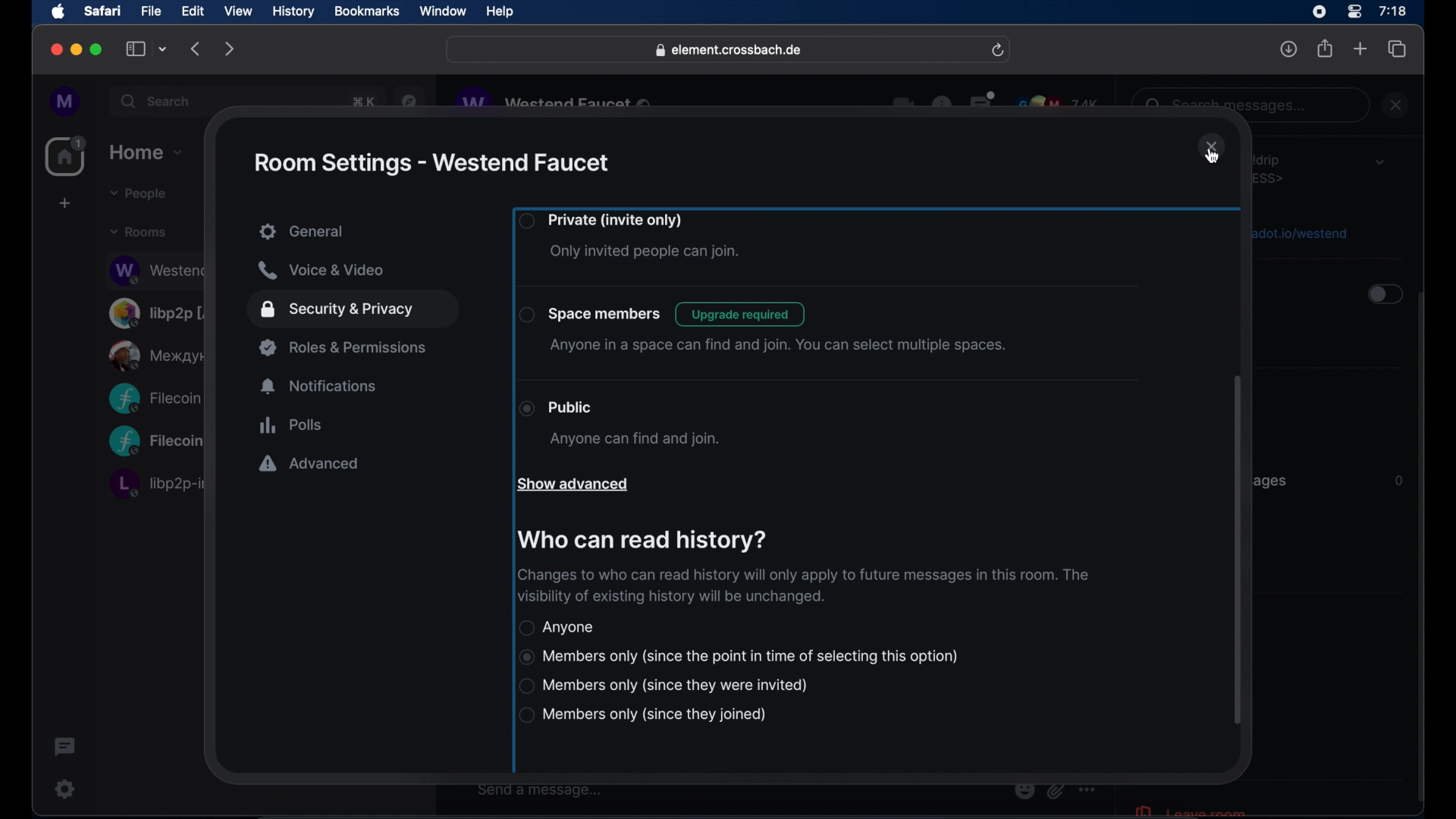  What do you see at coordinates (151, 11) in the screenshot?
I see `file` at bounding box center [151, 11].